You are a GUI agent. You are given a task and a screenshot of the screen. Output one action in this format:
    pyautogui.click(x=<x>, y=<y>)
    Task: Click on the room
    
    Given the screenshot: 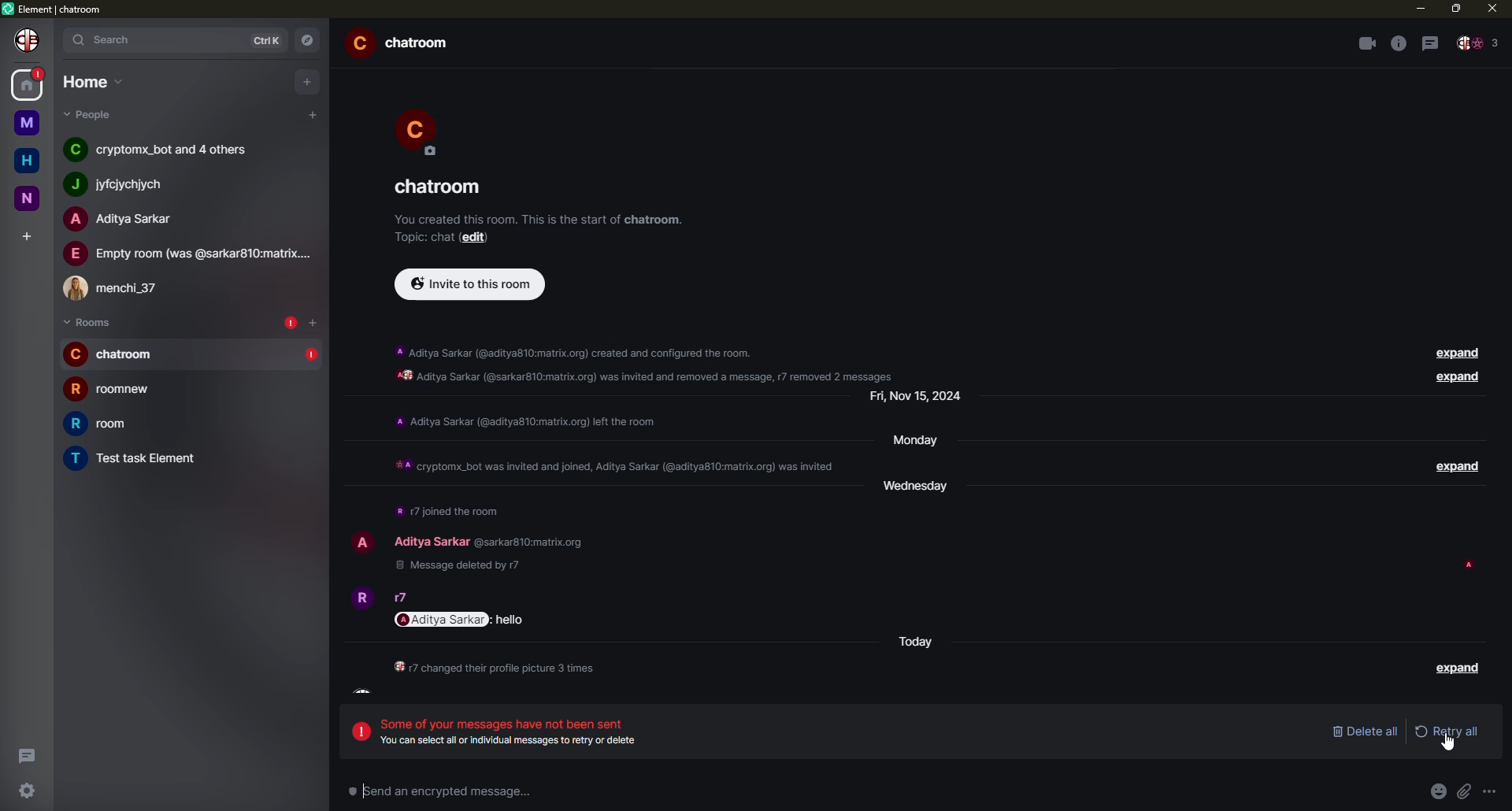 What is the action you would take?
    pyautogui.click(x=102, y=423)
    